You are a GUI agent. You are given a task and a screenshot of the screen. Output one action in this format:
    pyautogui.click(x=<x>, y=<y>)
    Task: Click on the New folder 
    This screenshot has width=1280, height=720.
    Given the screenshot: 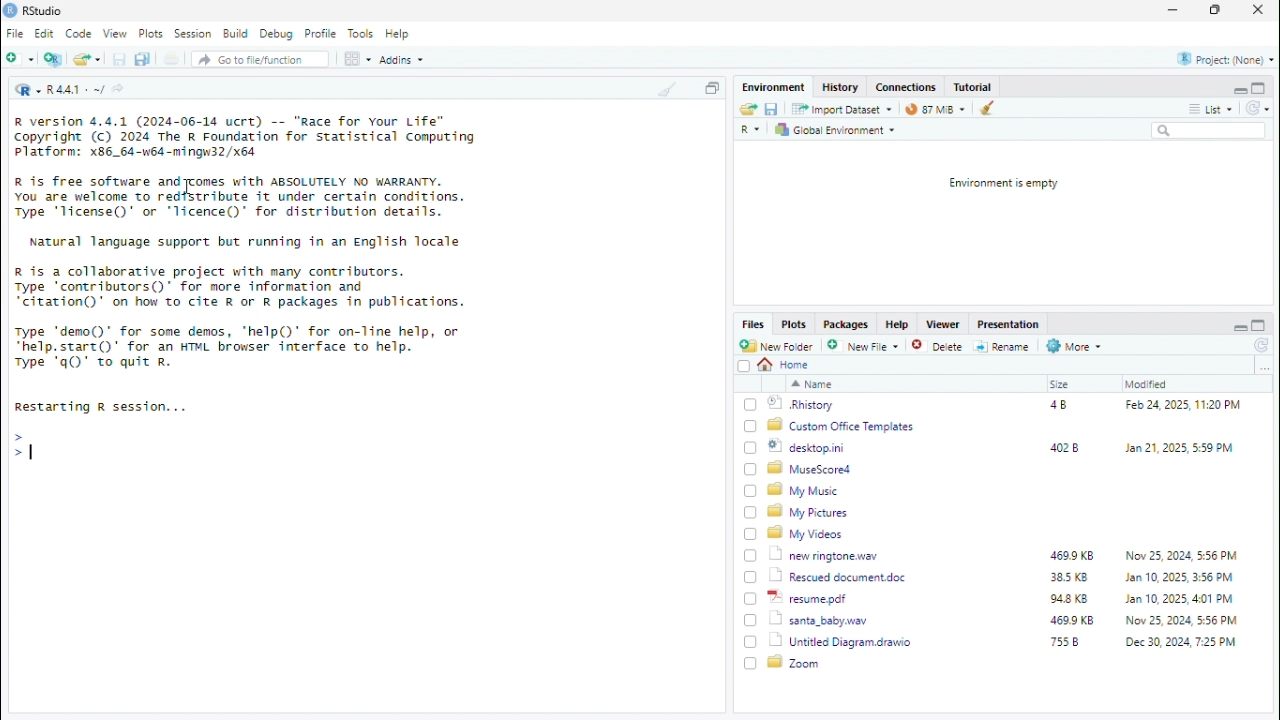 What is the action you would take?
    pyautogui.click(x=20, y=57)
    